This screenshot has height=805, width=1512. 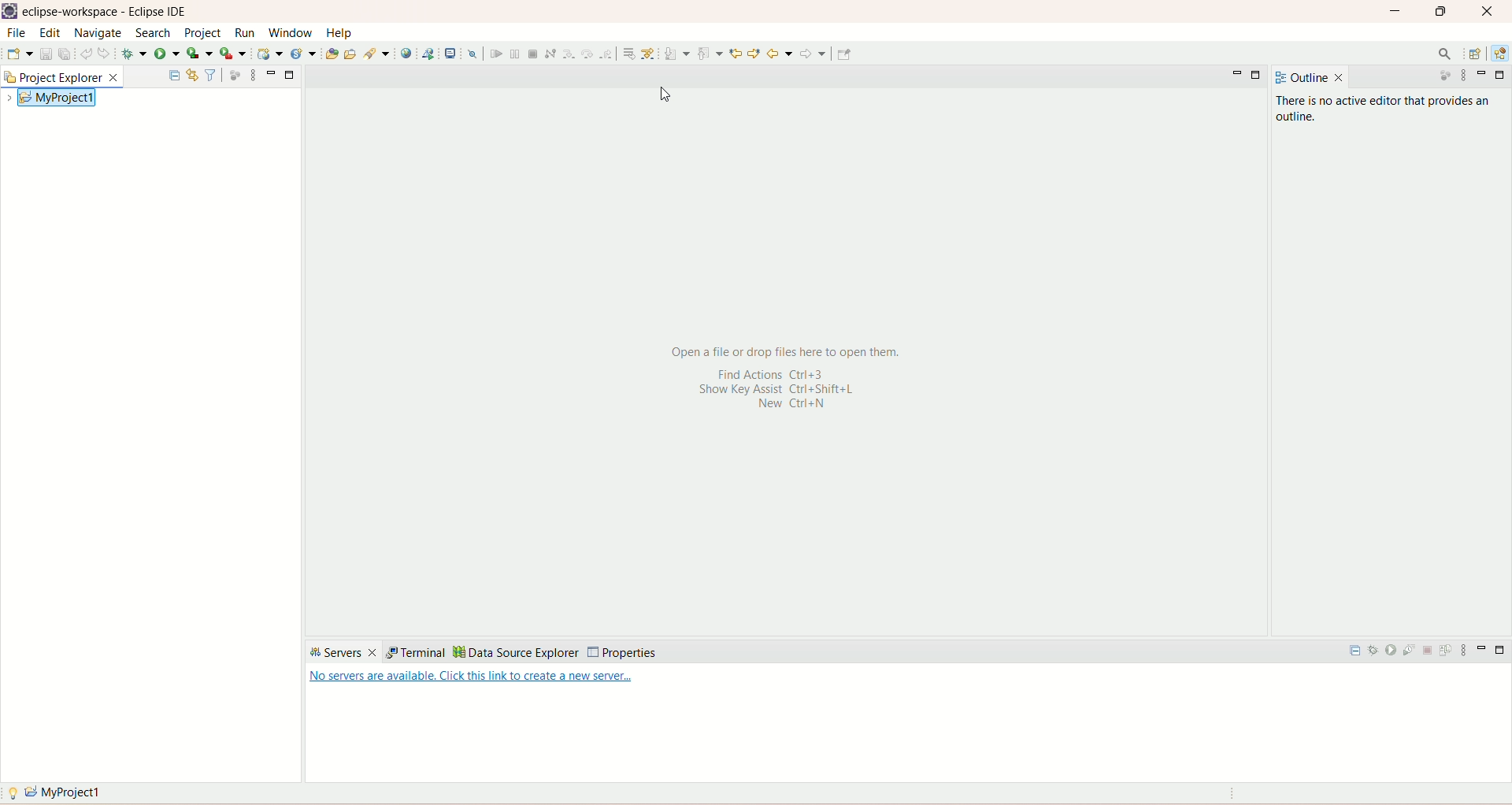 What do you see at coordinates (1393, 653) in the screenshot?
I see `start the server` at bounding box center [1393, 653].